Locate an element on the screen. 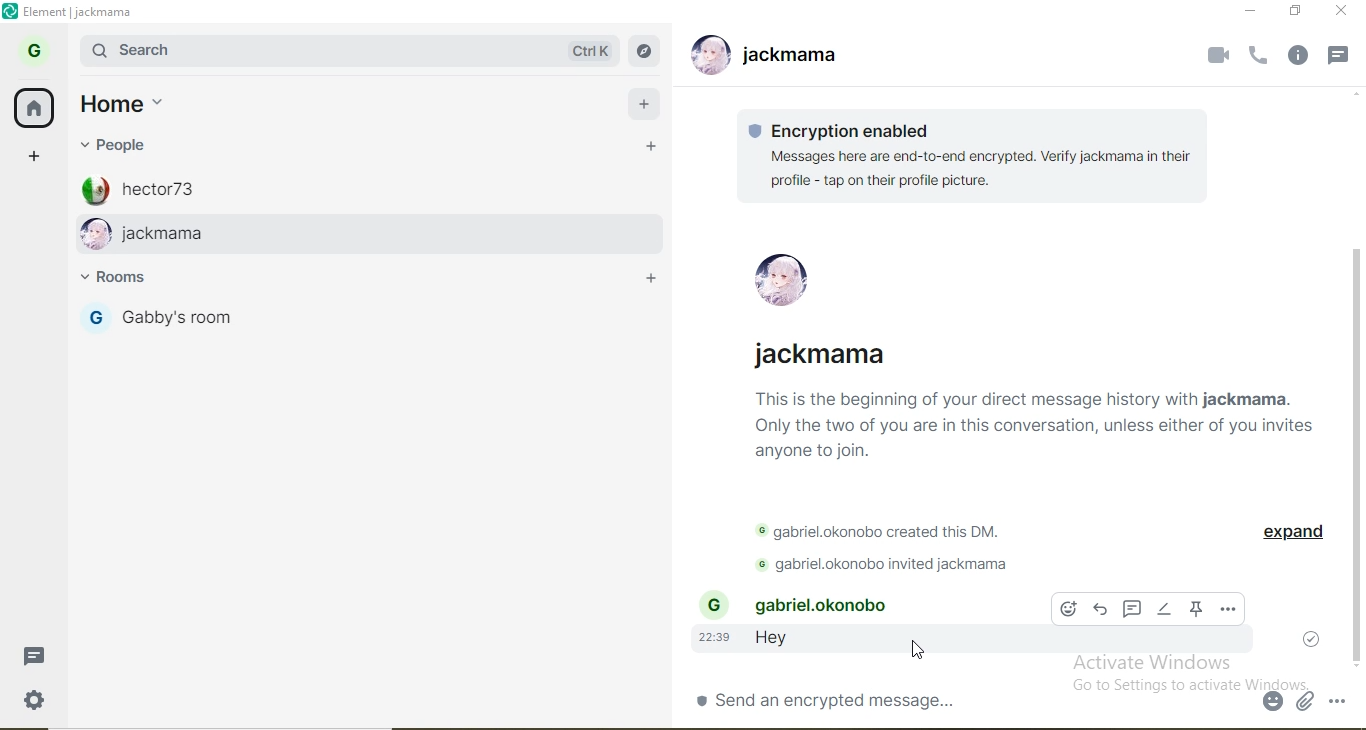 The height and width of the screenshot is (730, 1366). ctrl k is located at coordinates (589, 49).